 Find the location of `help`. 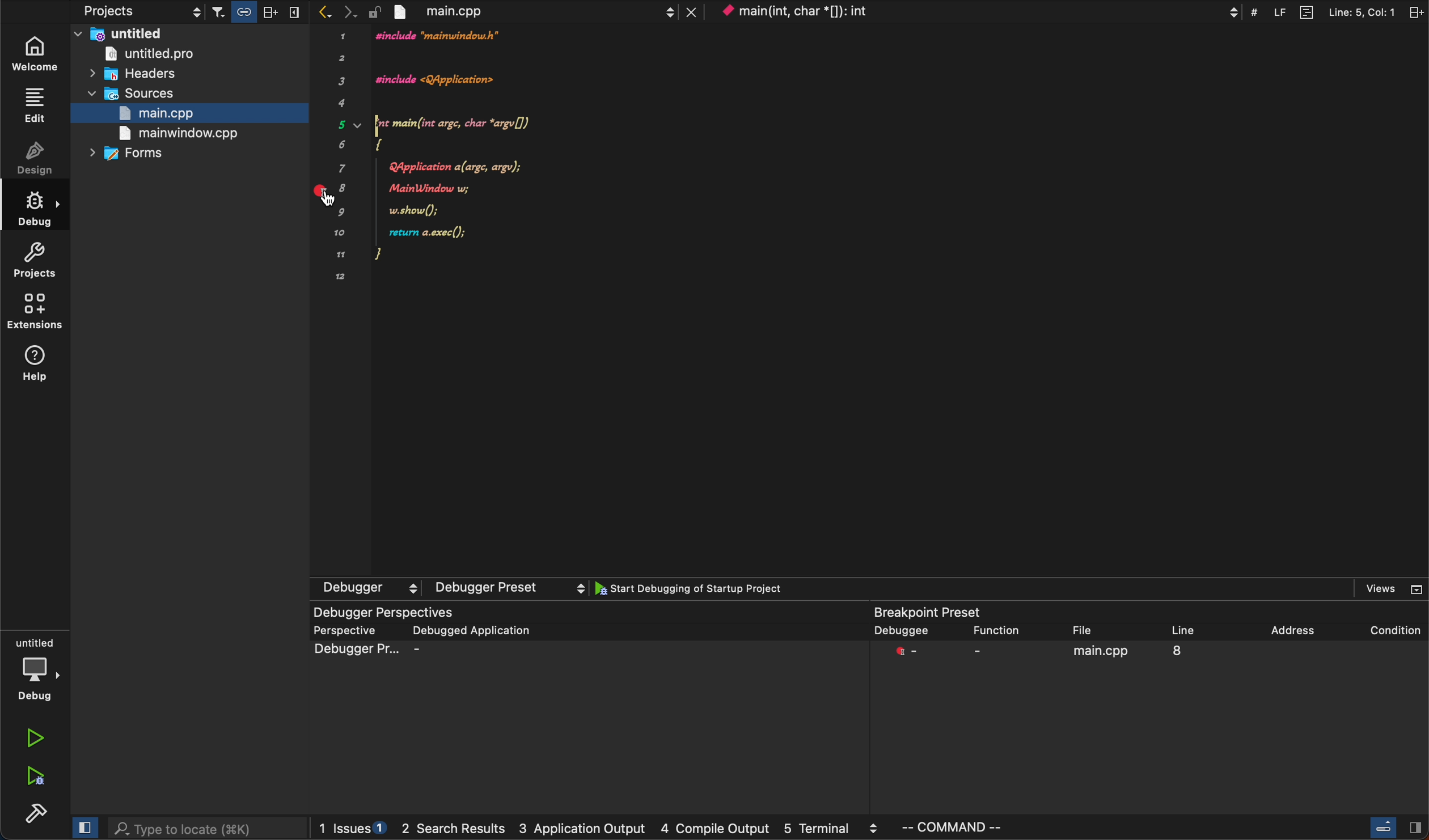

help is located at coordinates (38, 363).